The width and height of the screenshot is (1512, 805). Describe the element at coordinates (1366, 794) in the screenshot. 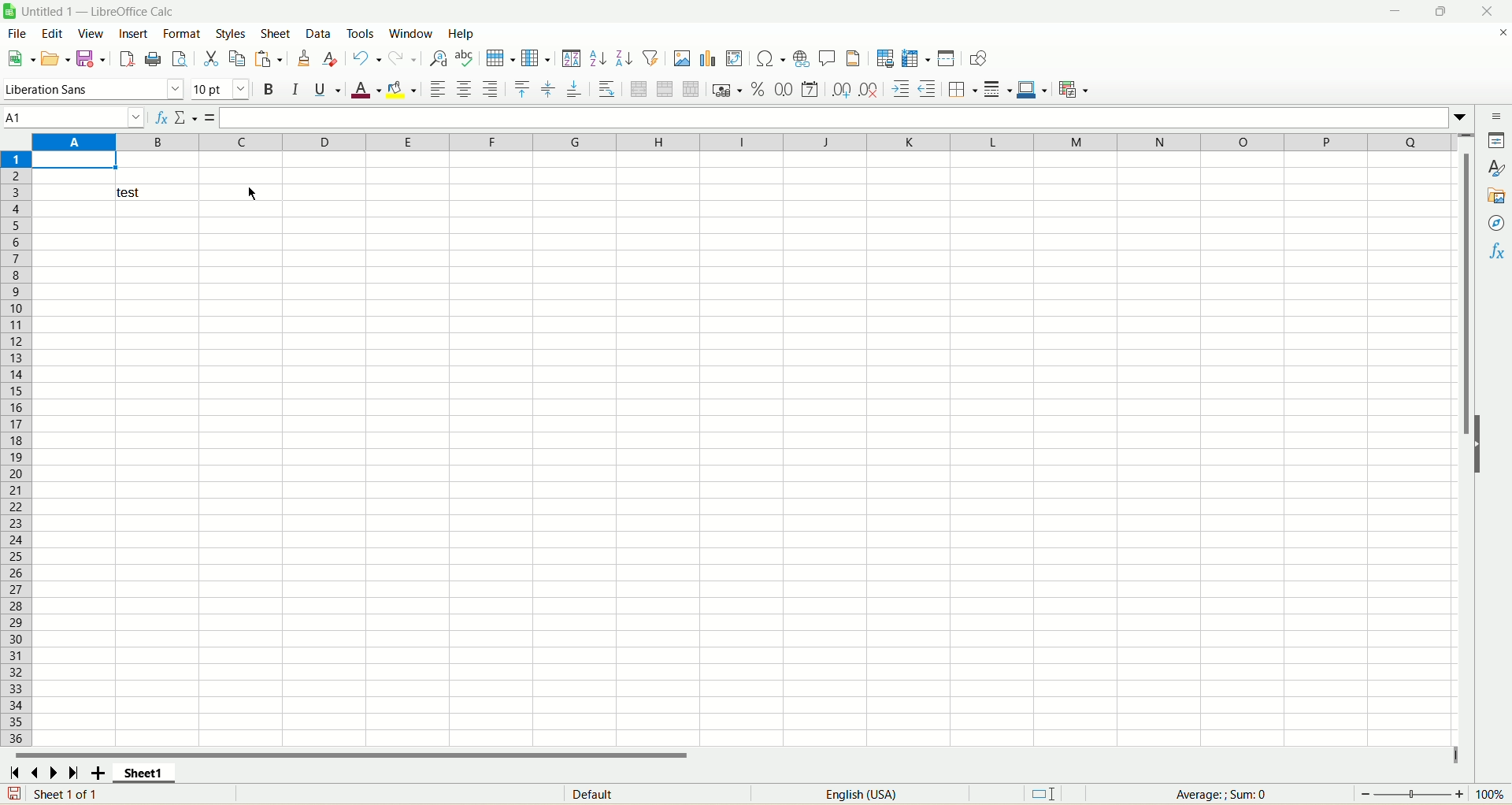

I see `Zoom out` at that location.